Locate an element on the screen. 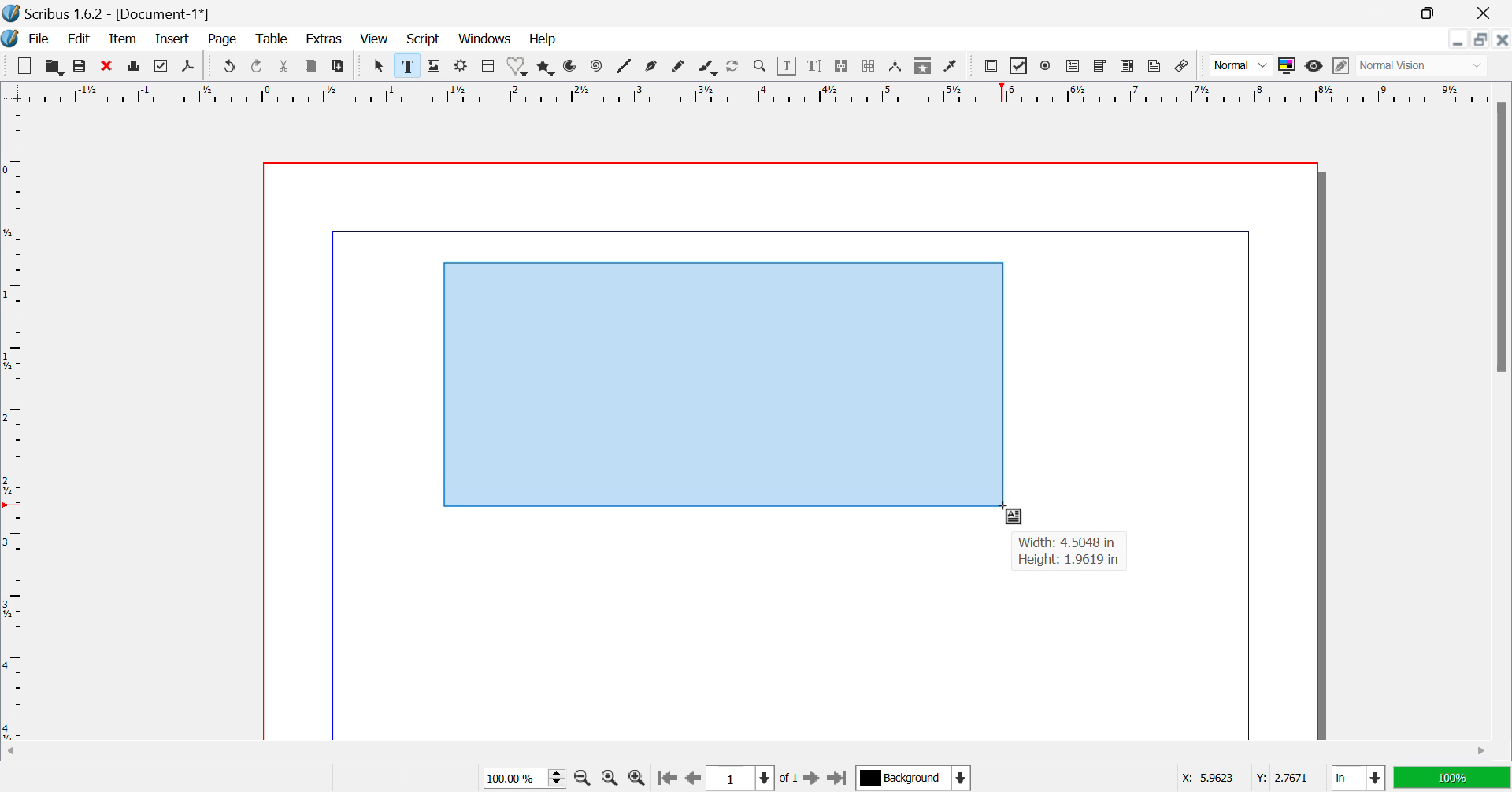  X: 5.9623 is located at coordinates (1206, 777).